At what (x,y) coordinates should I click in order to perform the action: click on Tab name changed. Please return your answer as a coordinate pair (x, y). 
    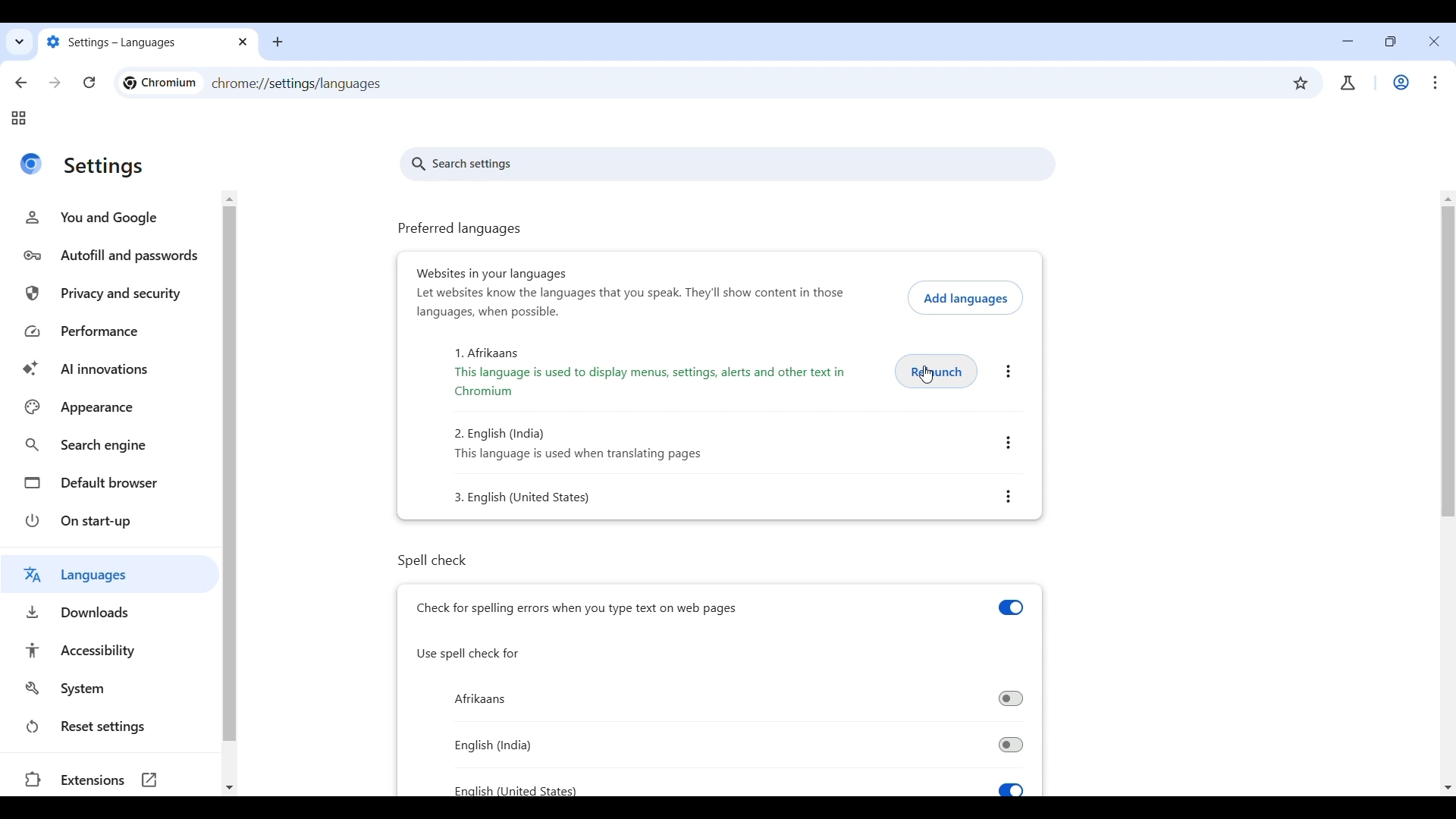
    Looking at the image, I should click on (133, 42).